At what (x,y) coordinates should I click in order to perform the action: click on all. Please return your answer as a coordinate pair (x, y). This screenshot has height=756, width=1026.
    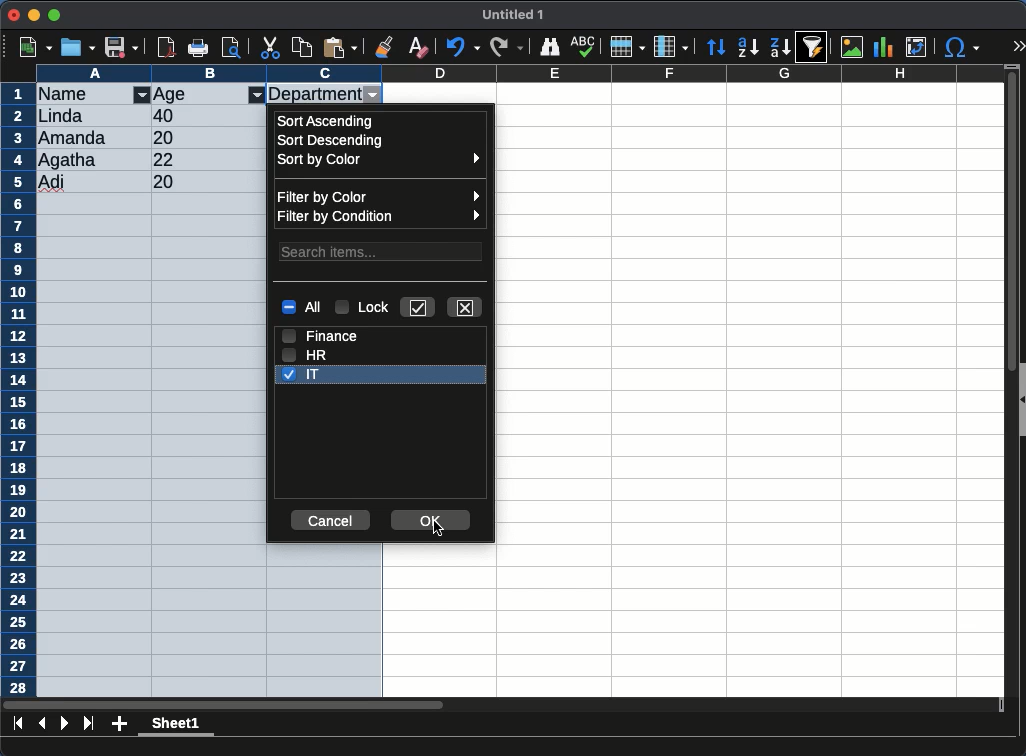
    Looking at the image, I should click on (301, 308).